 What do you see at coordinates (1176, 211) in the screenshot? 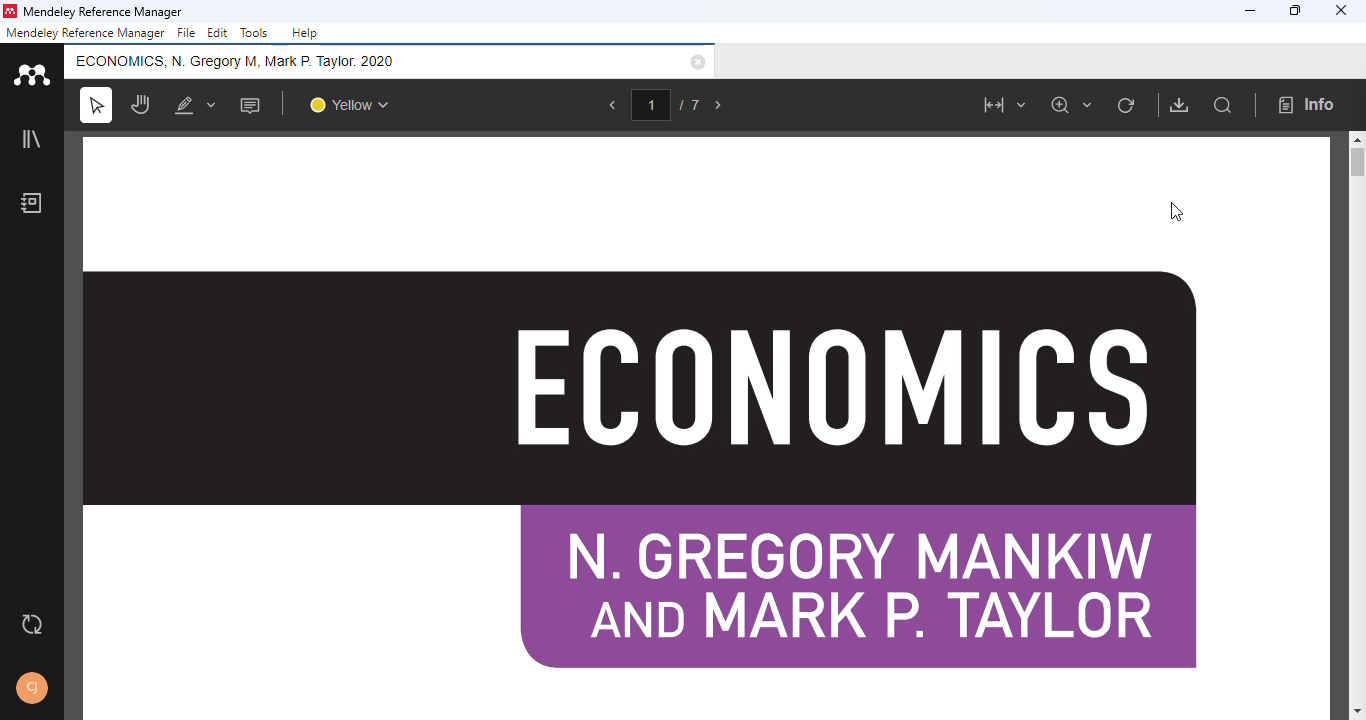
I see `cursor` at bounding box center [1176, 211].